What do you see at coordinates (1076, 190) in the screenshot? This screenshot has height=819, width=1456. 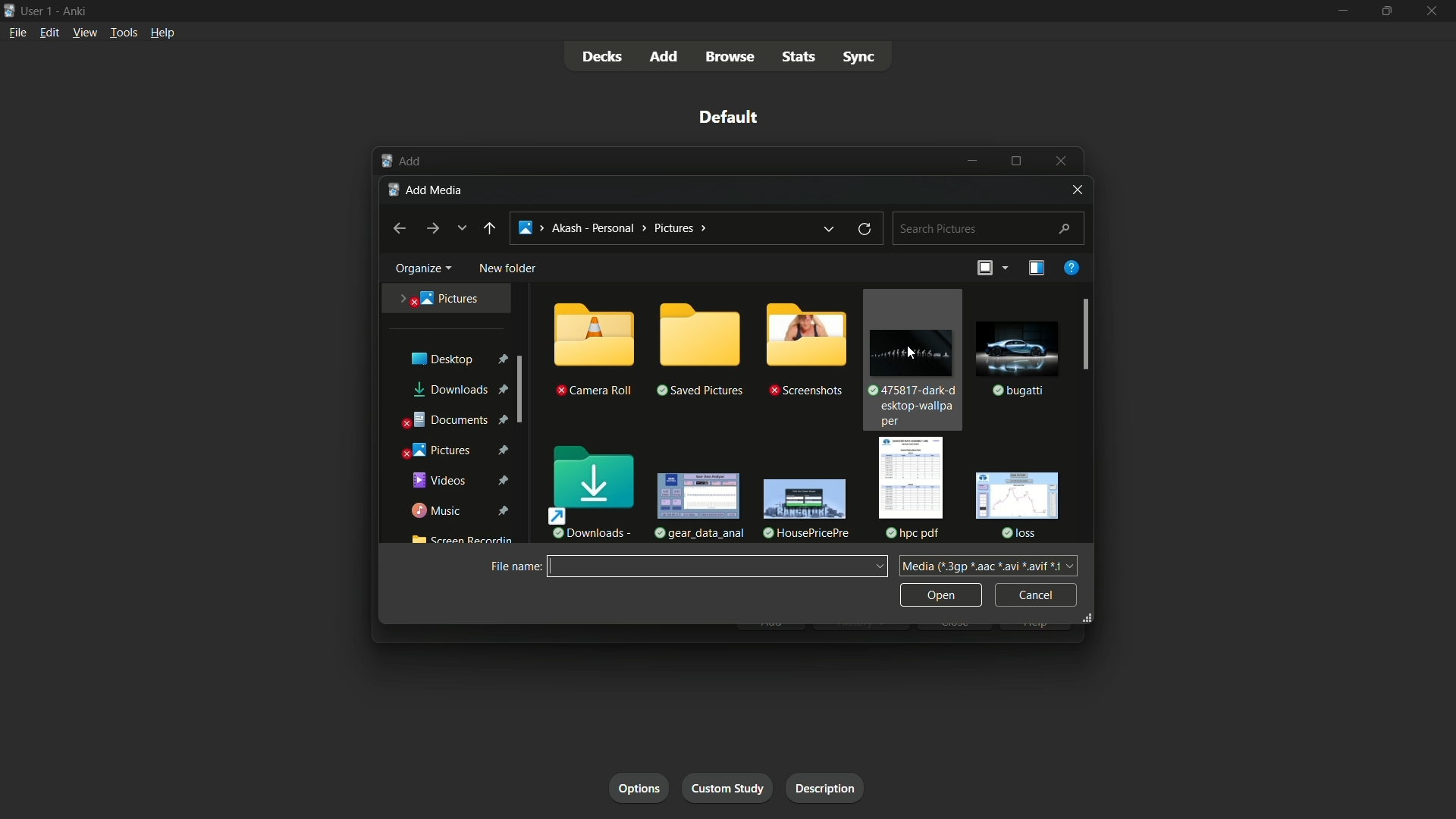 I see `close window` at bounding box center [1076, 190].